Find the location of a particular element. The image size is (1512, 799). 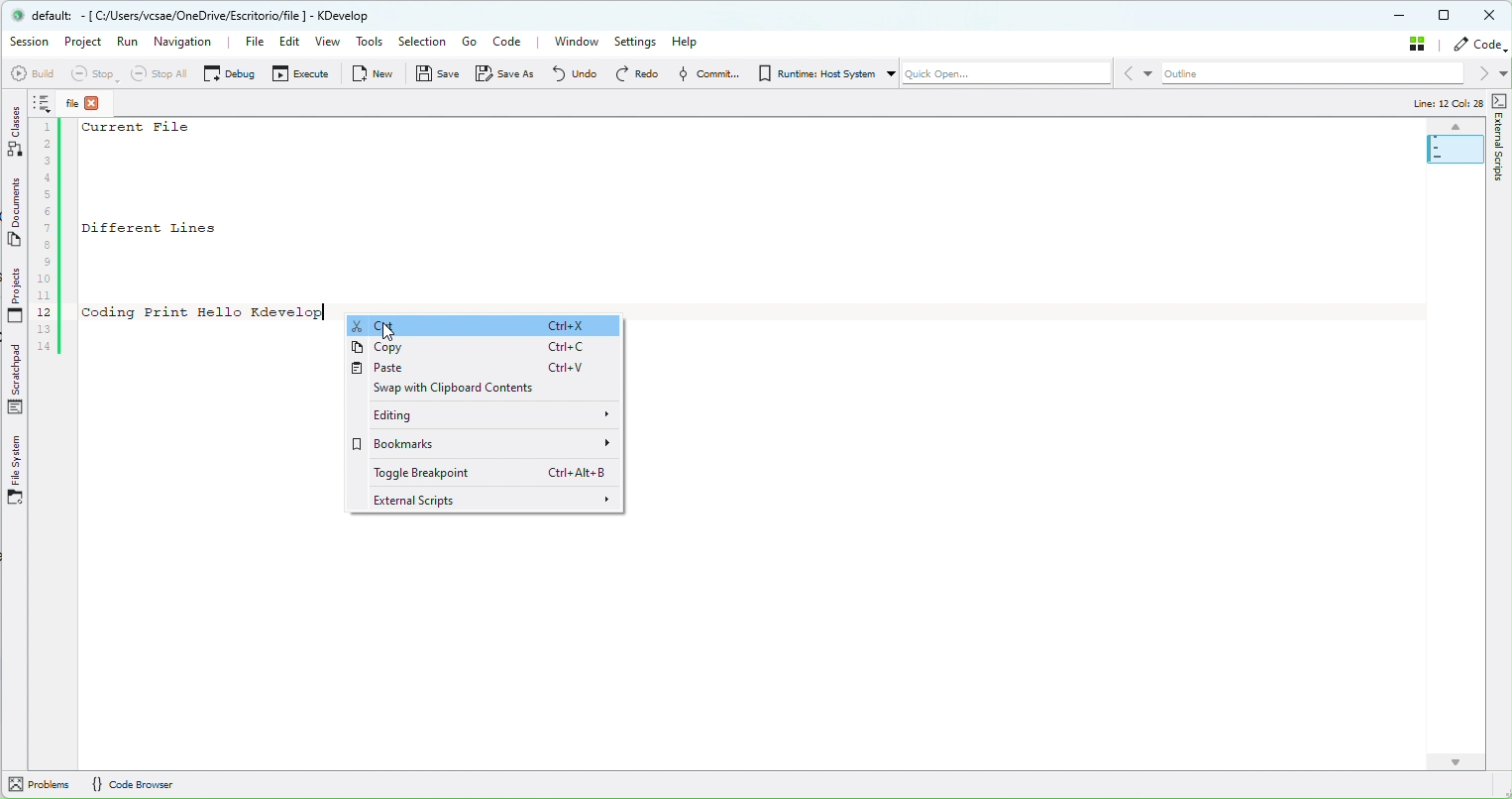

Runtime is located at coordinates (821, 74).